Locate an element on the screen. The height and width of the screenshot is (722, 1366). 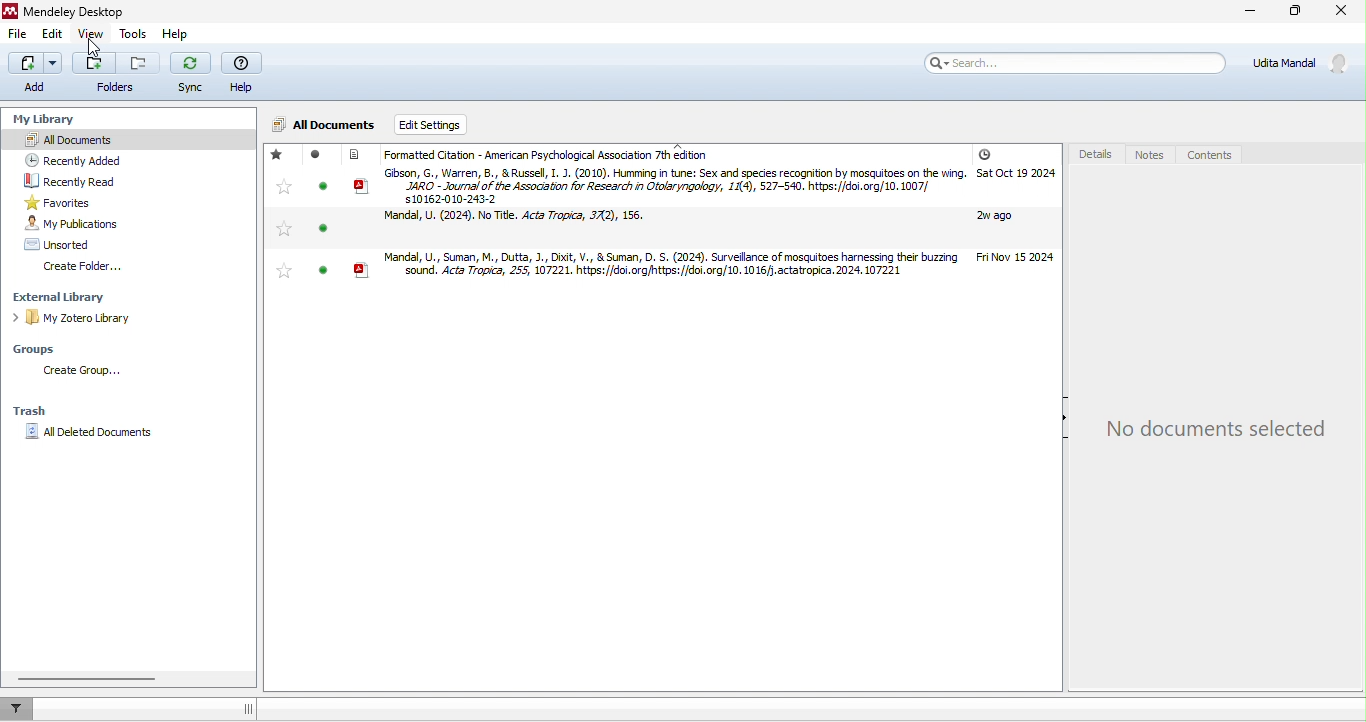
create folder is located at coordinates (85, 269).